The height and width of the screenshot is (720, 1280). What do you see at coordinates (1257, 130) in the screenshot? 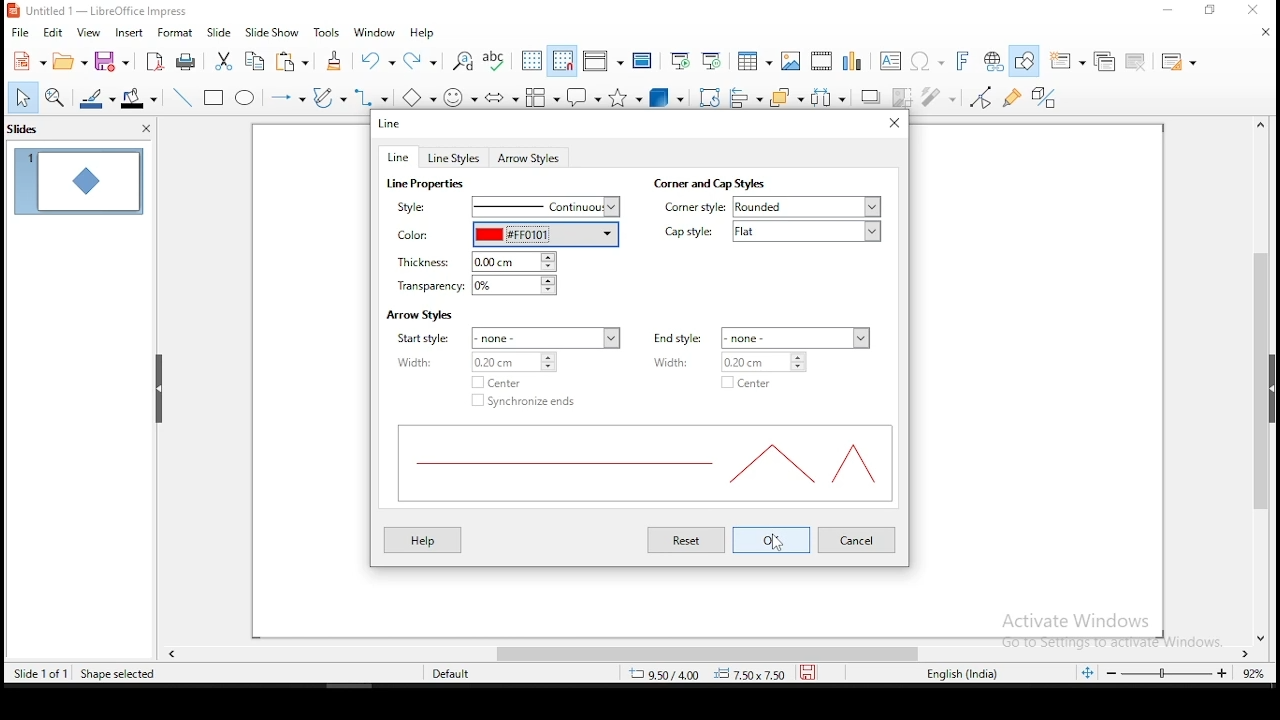
I see `scroll up` at bounding box center [1257, 130].